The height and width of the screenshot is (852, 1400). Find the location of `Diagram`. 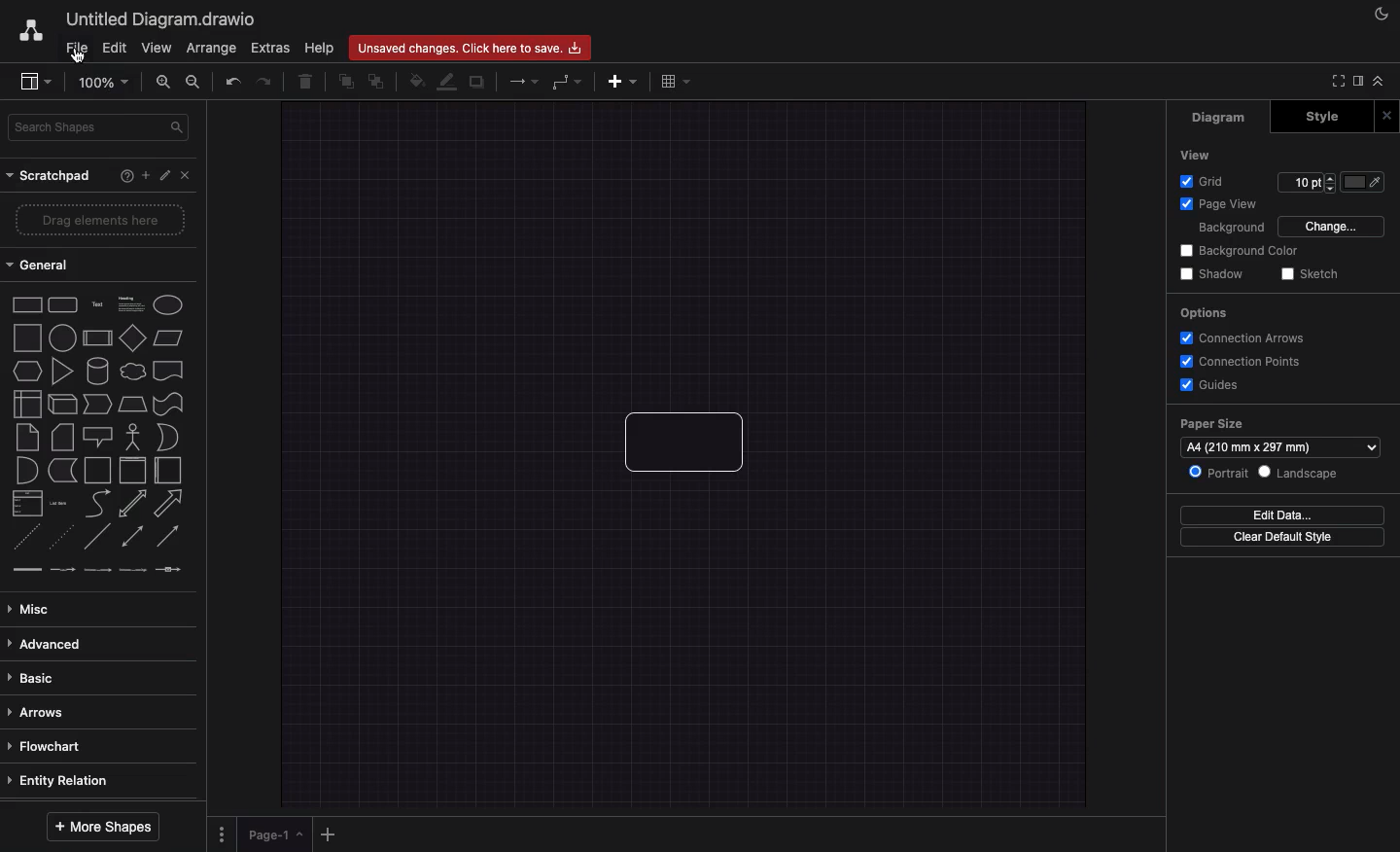

Diagram is located at coordinates (1221, 117).